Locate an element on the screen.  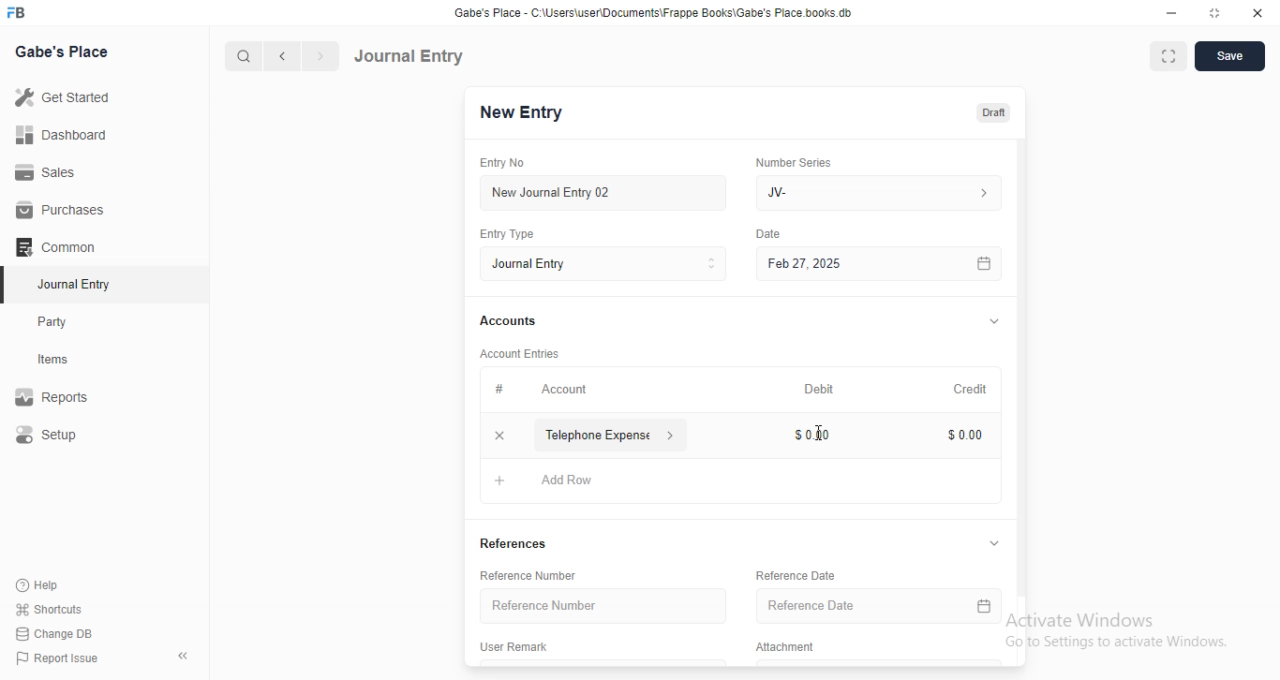
Account entries is located at coordinates (519, 353).